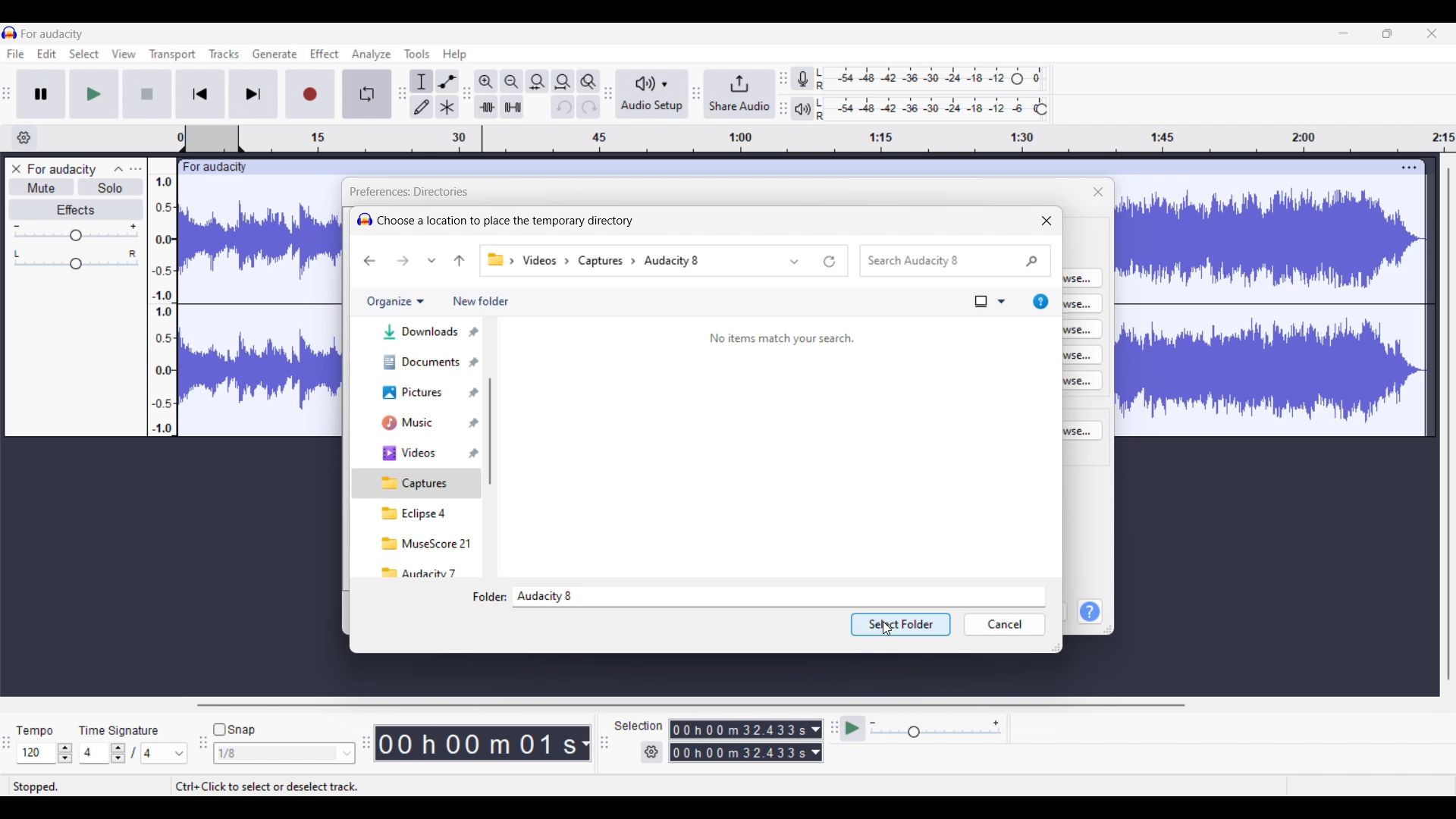 This screenshot has height=819, width=1456. What do you see at coordinates (888, 629) in the screenshot?
I see `Cursor` at bounding box center [888, 629].